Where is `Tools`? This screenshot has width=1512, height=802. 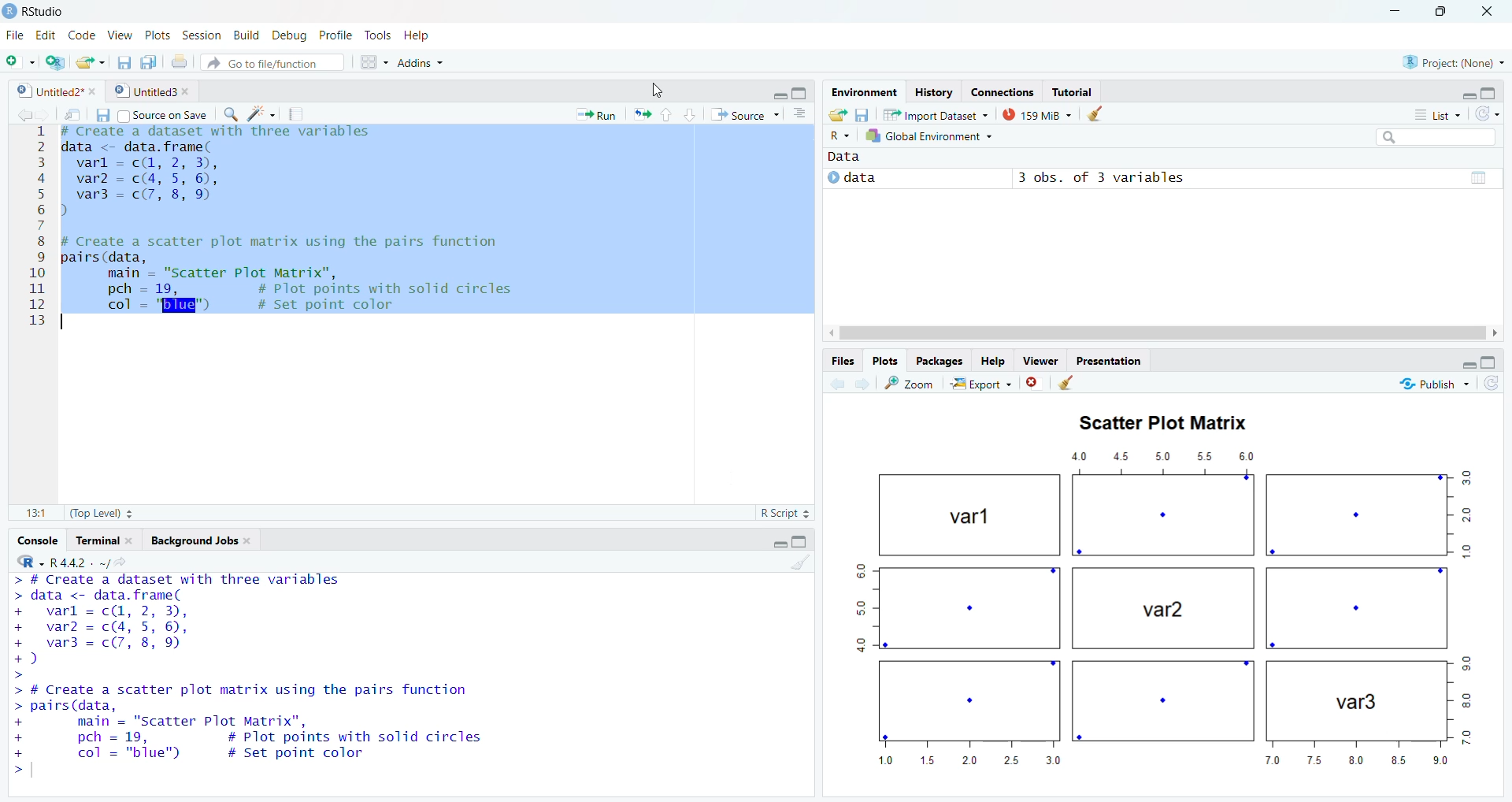
Tools is located at coordinates (379, 34).